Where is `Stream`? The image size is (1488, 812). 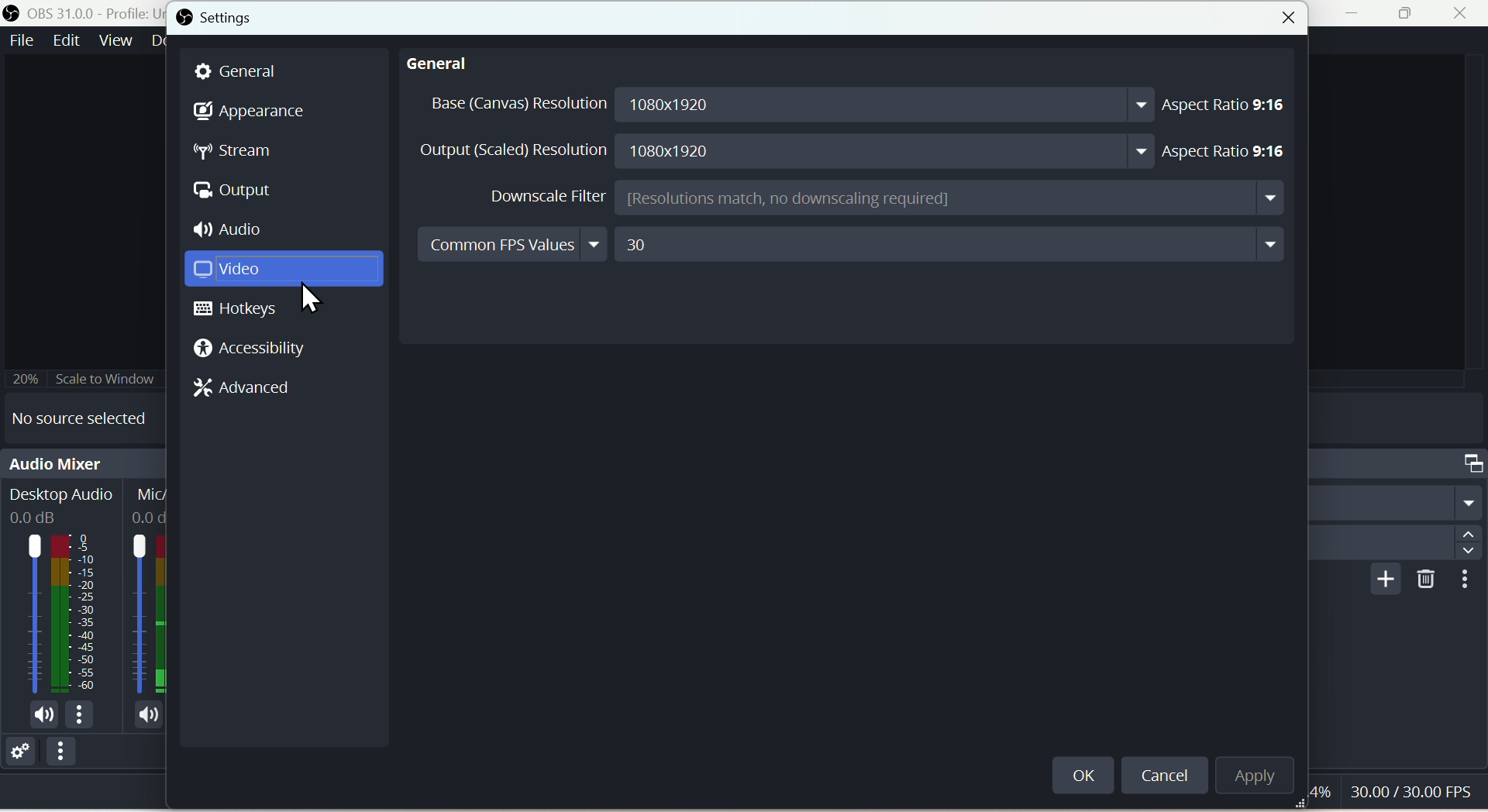
Stream is located at coordinates (235, 153).